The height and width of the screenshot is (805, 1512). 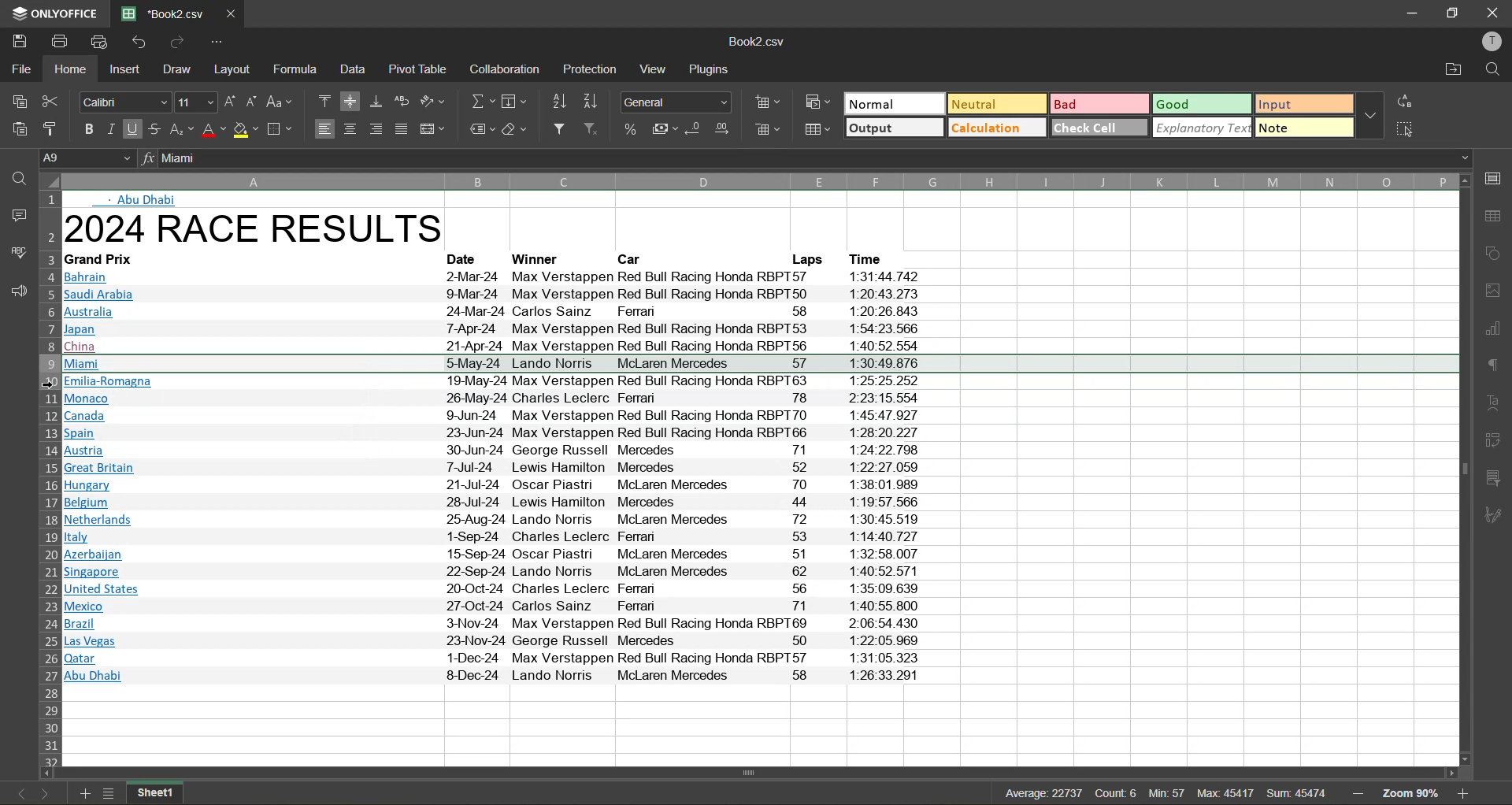 I want to click on named ranges, so click(x=479, y=129).